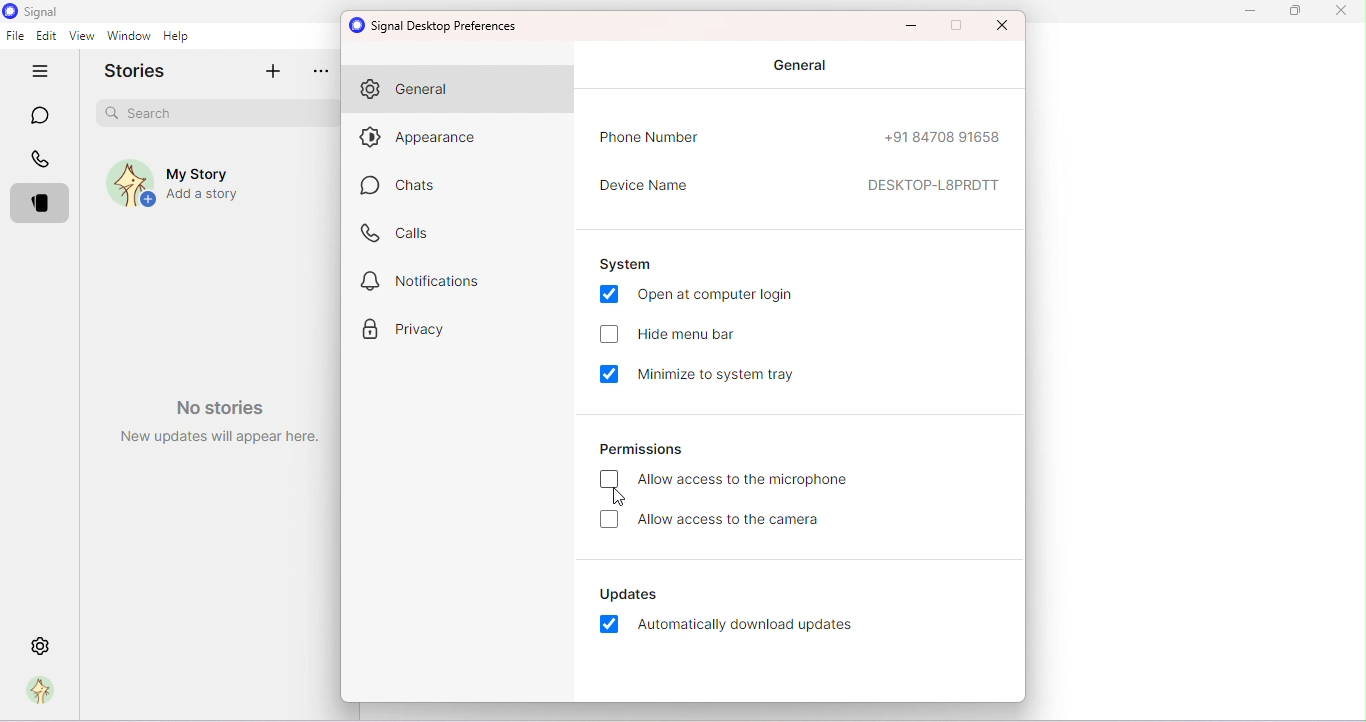  Describe the element at coordinates (700, 300) in the screenshot. I see `Open at computer login` at that location.